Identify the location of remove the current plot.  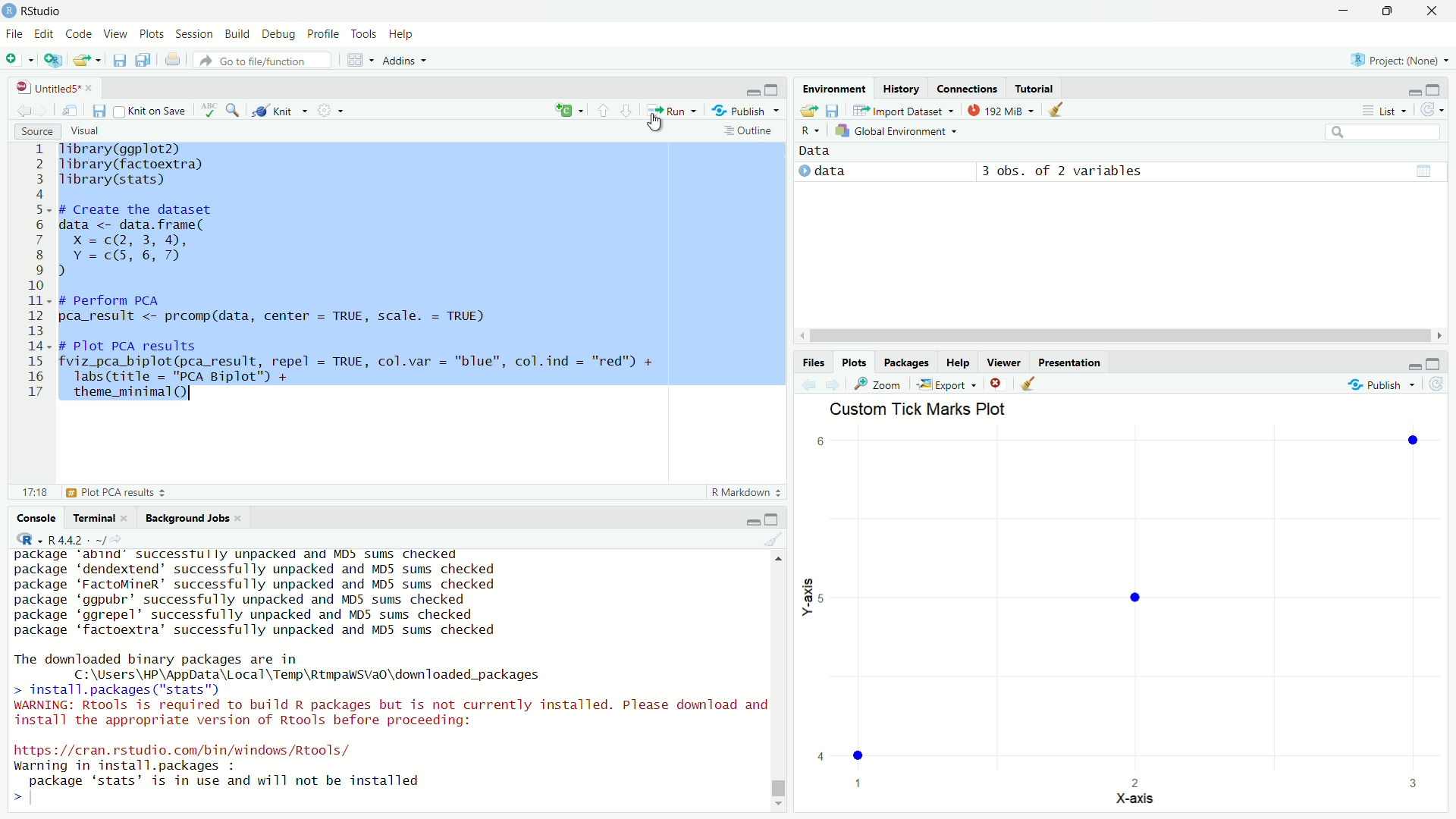
(996, 383).